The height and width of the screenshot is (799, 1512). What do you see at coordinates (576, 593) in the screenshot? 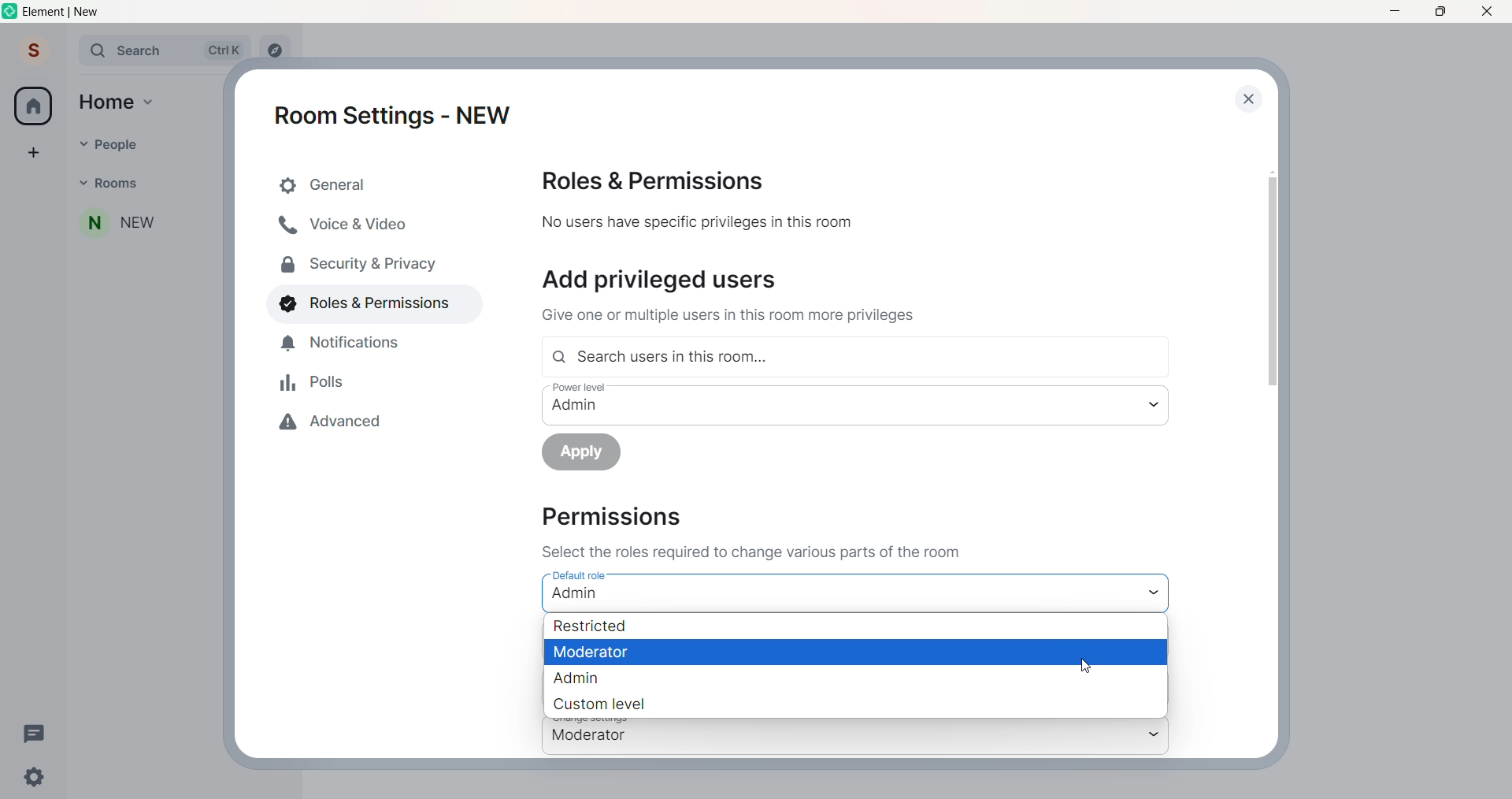
I see `admin` at bounding box center [576, 593].